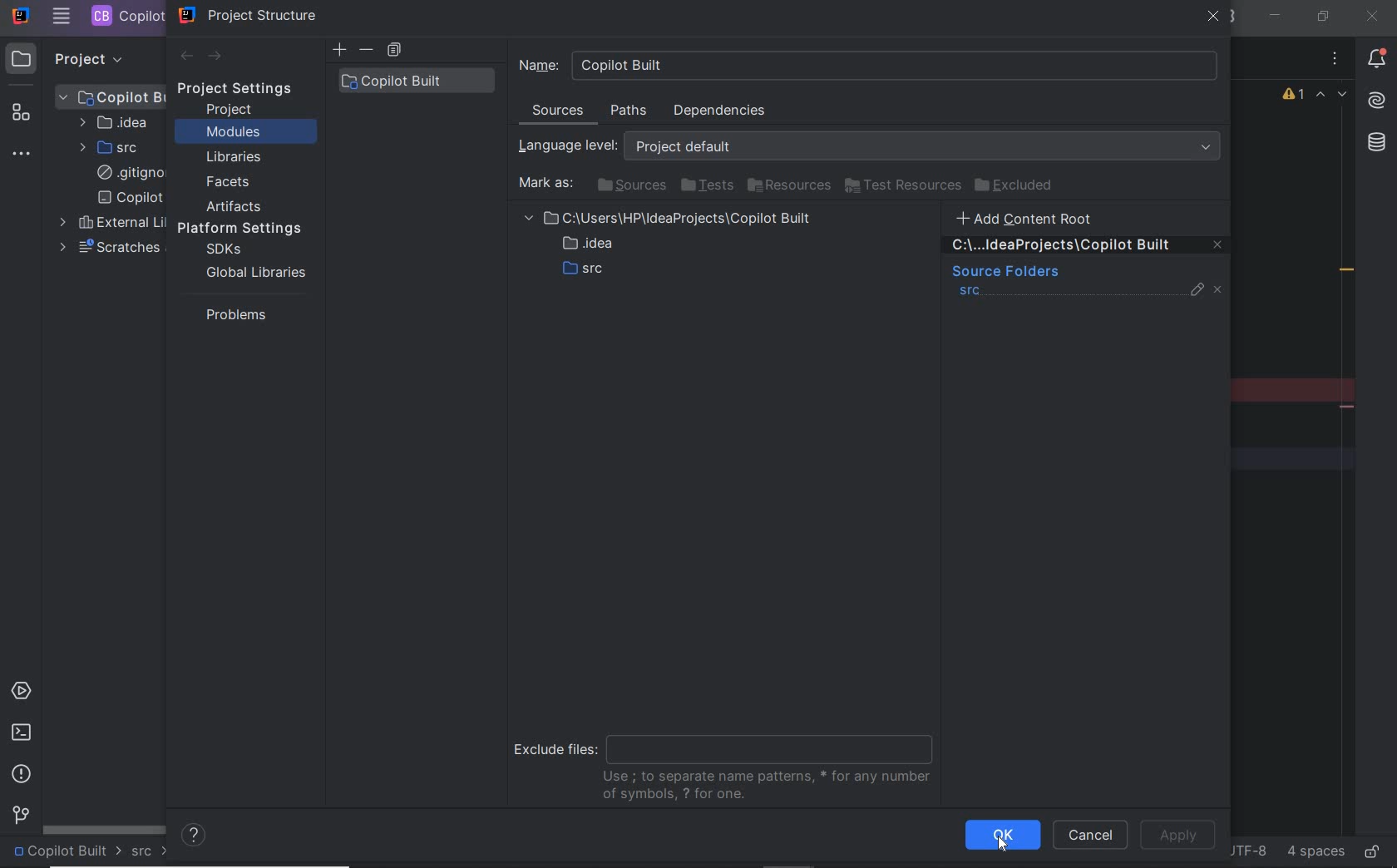 This screenshot has height=868, width=1397. I want to click on src, so click(970, 293).